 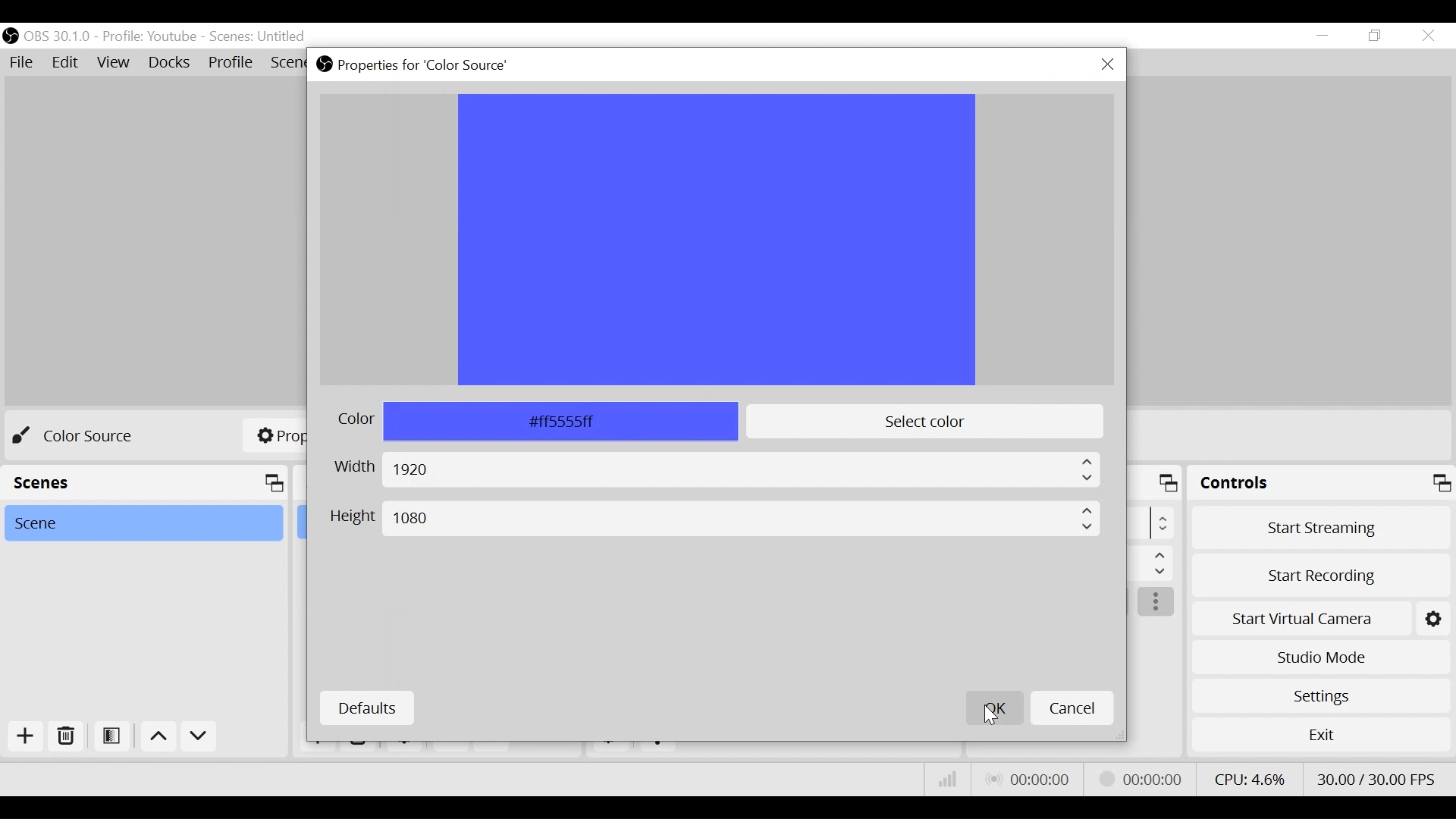 What do you see at coordinates (1321, 577) in the screenshot?
I see `Start Recording` at bounding box center [1321, 577].